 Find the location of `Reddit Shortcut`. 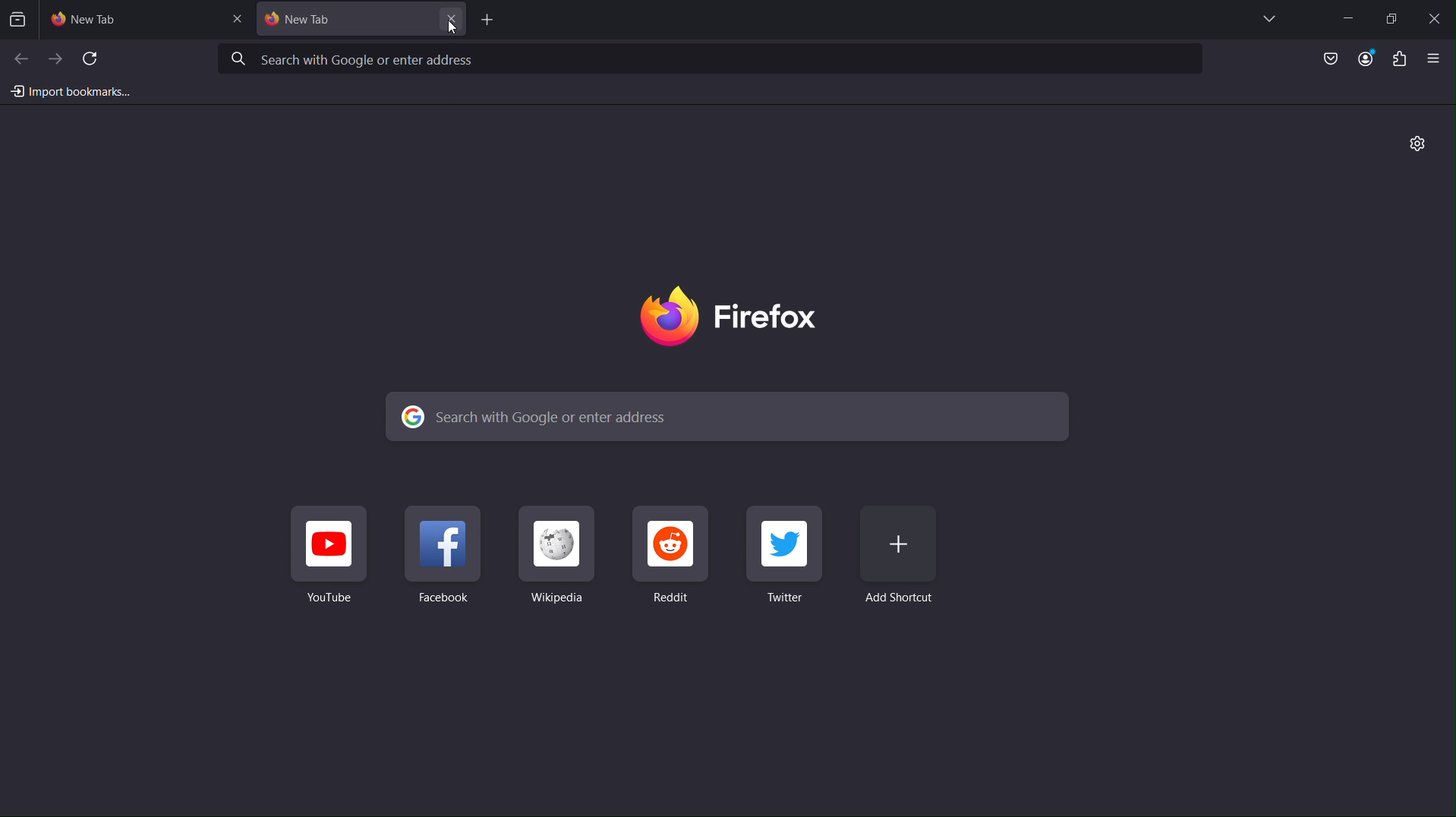

Reddit Shortcut is located at coordinates (676, 562).